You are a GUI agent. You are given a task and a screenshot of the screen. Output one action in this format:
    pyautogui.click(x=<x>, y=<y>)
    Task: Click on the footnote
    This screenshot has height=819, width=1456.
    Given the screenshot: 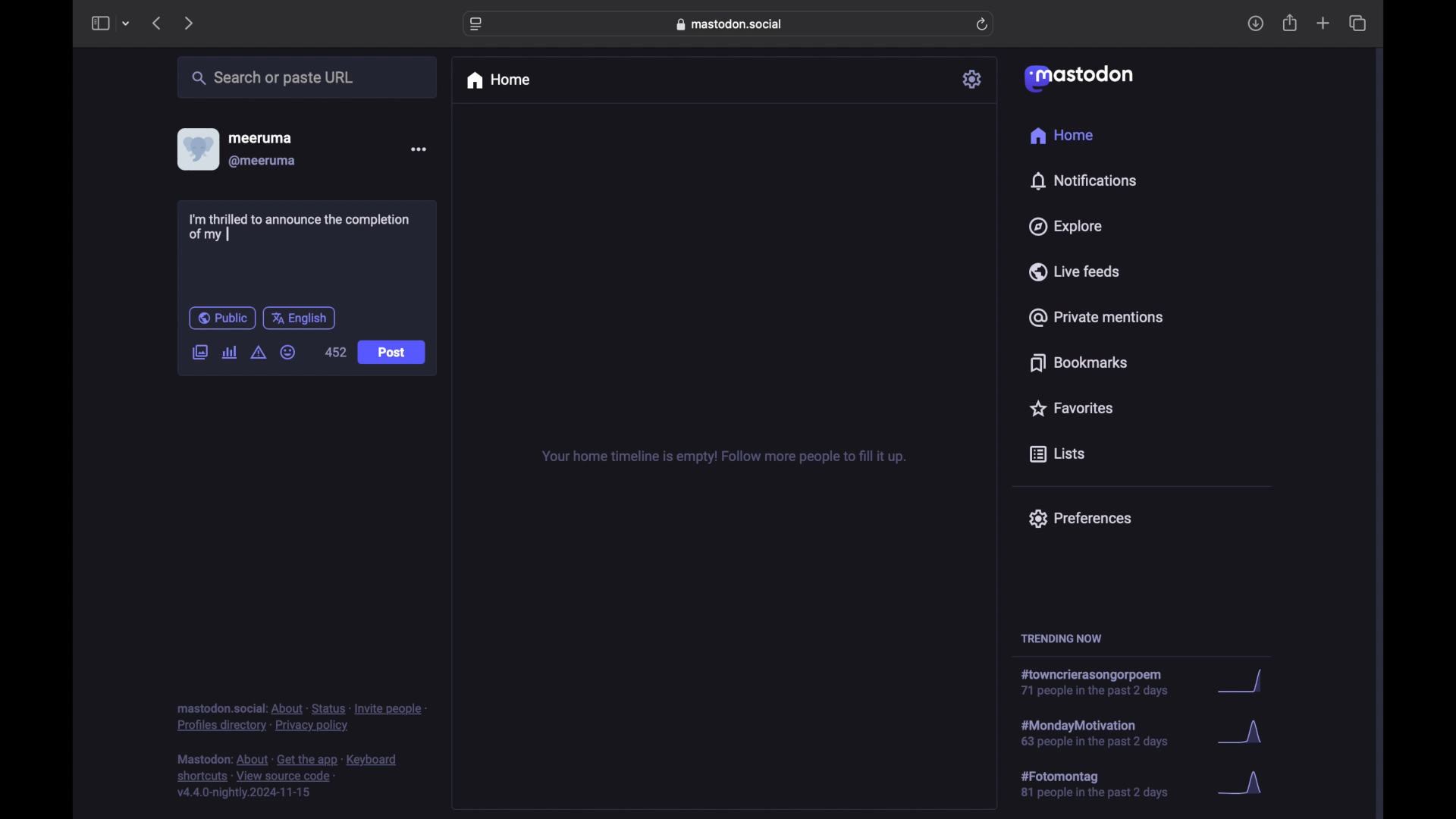 What is the action you would take?
    pyautogui.click(x=287, y=777)
    